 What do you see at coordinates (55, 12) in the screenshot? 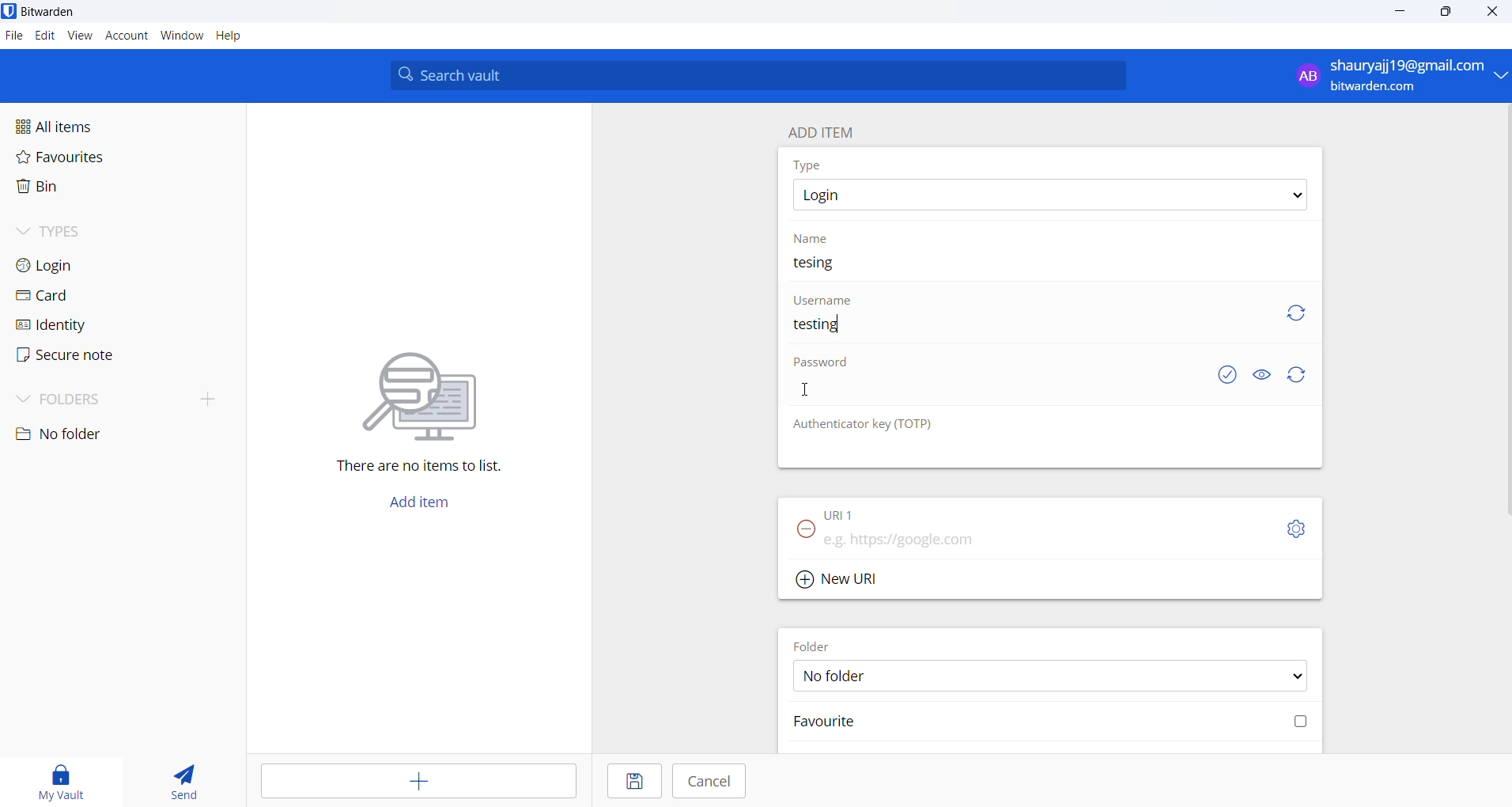
I see `application name` at bounding box center [55, 12].